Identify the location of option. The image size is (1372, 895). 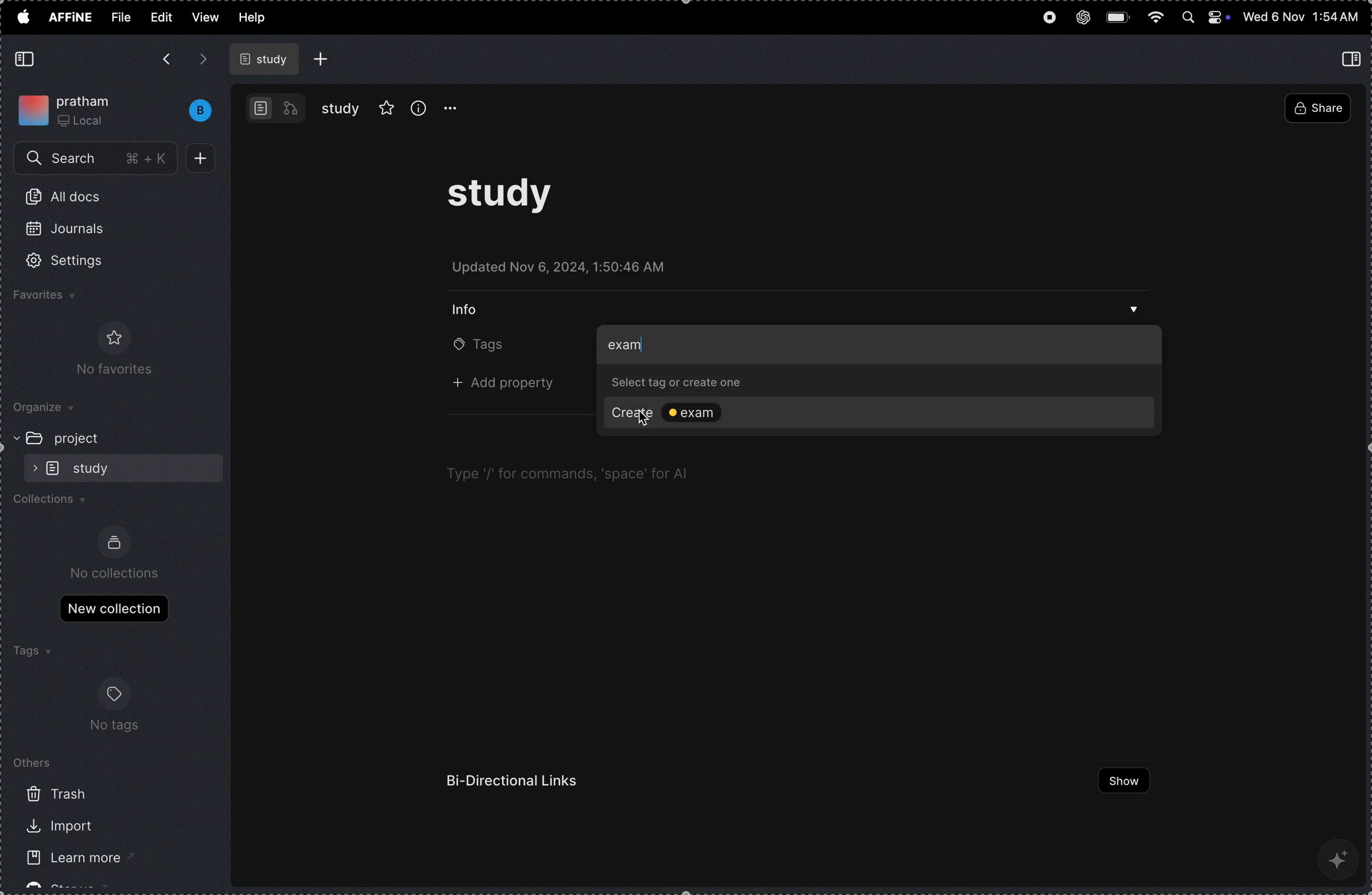
(457, 108).